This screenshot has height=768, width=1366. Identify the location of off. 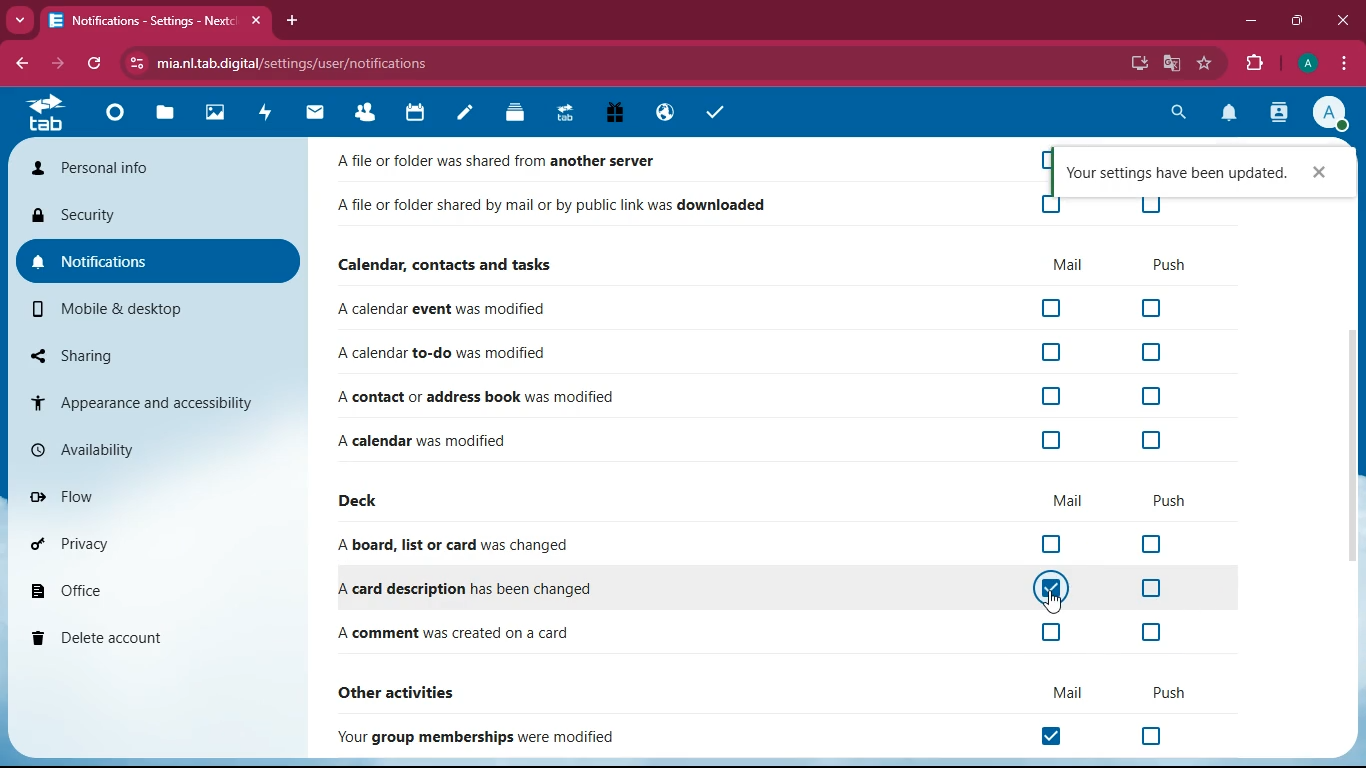
(1151, 737).